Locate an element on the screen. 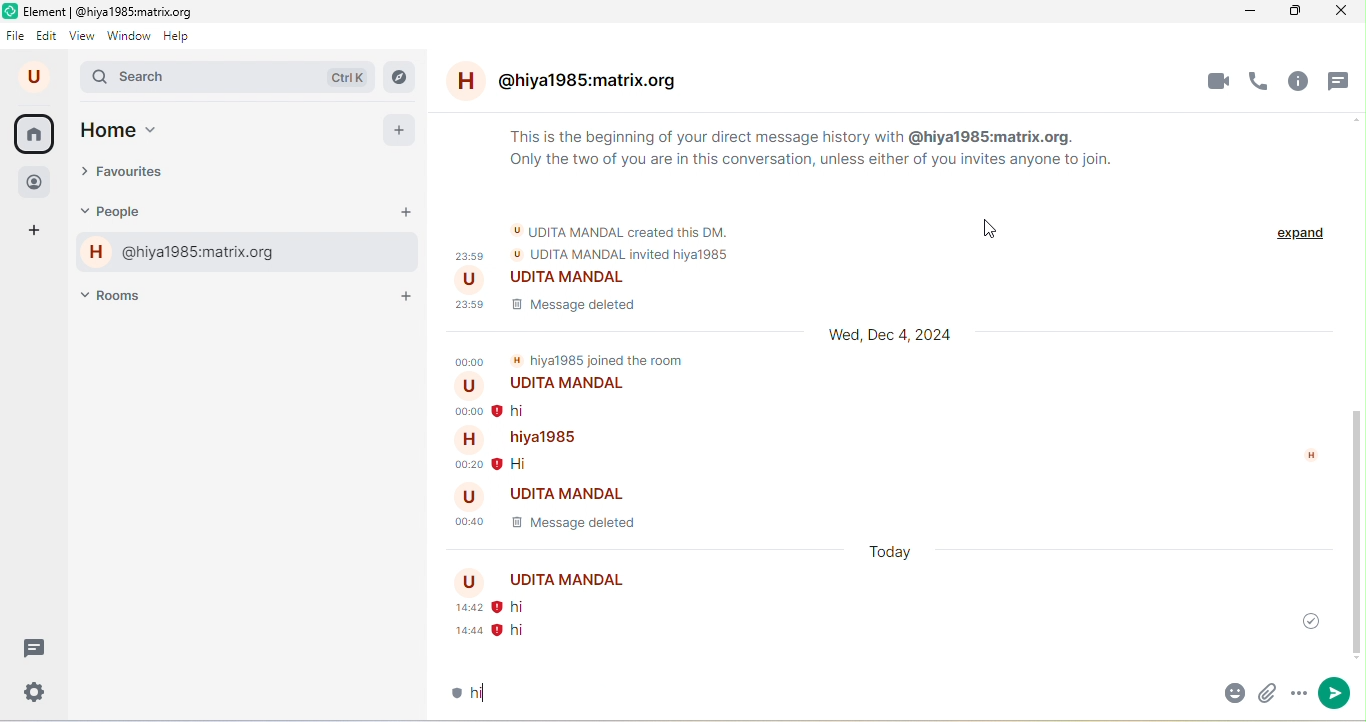 The width and height of the screenshot is (1366, 722). hiya1985 is located at coordinates (523, 437).